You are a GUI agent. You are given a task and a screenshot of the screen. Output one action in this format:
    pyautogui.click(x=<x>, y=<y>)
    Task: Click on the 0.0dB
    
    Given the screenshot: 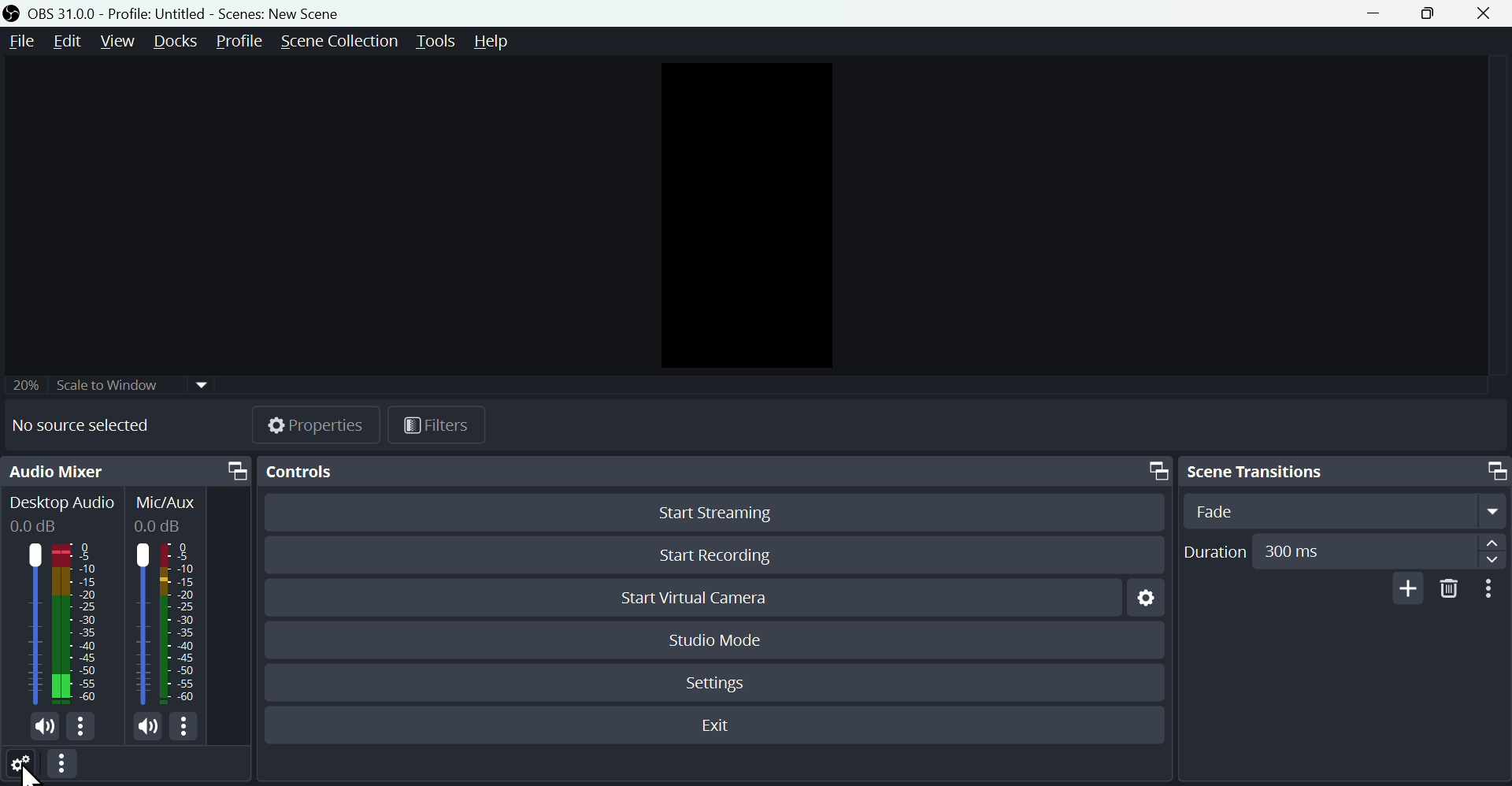 What is the action you would take?
    pyautogui.click(x=165, y=527)
    